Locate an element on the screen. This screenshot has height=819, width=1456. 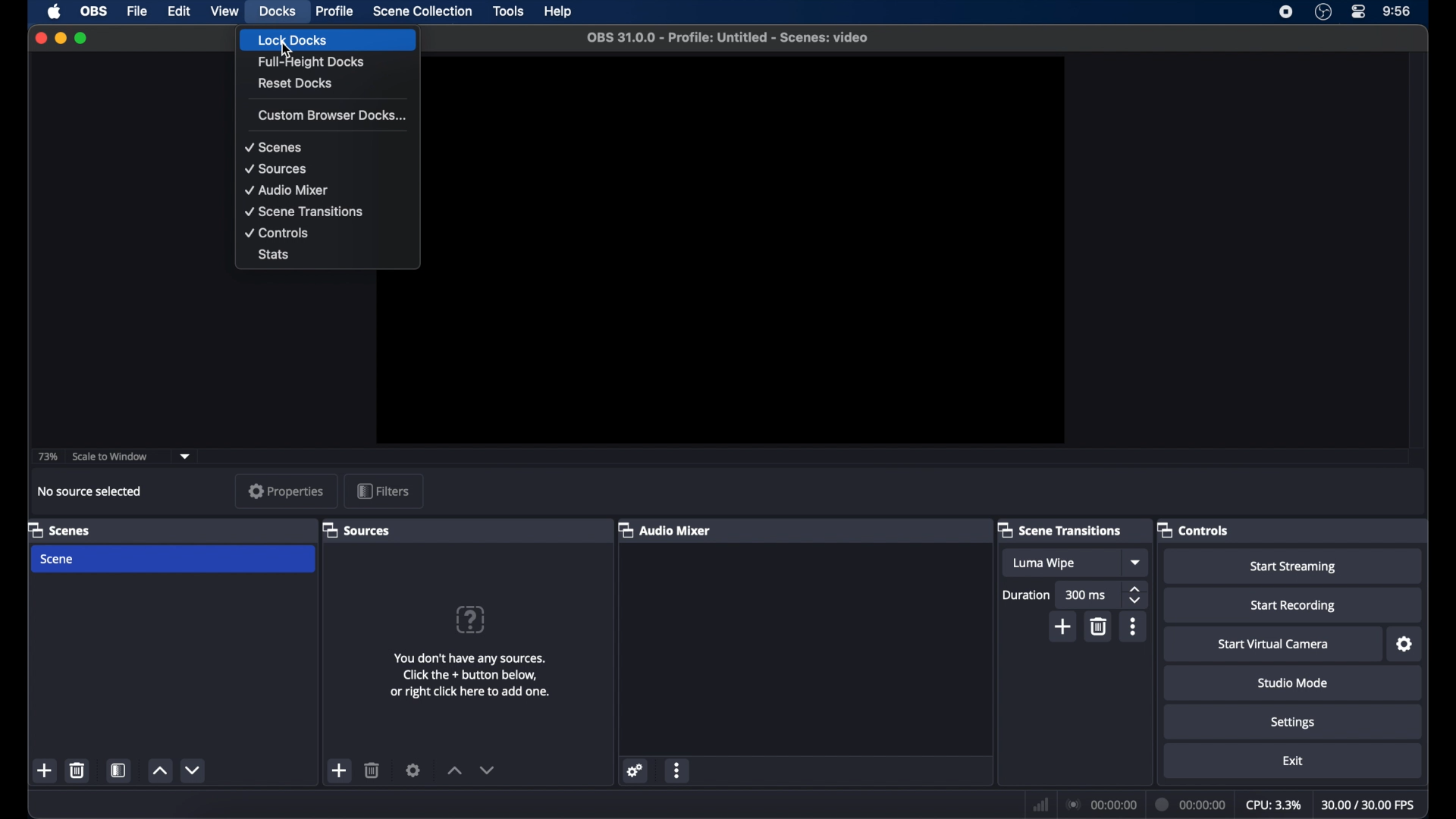
scene transitions is located at coordinates (303, 212).